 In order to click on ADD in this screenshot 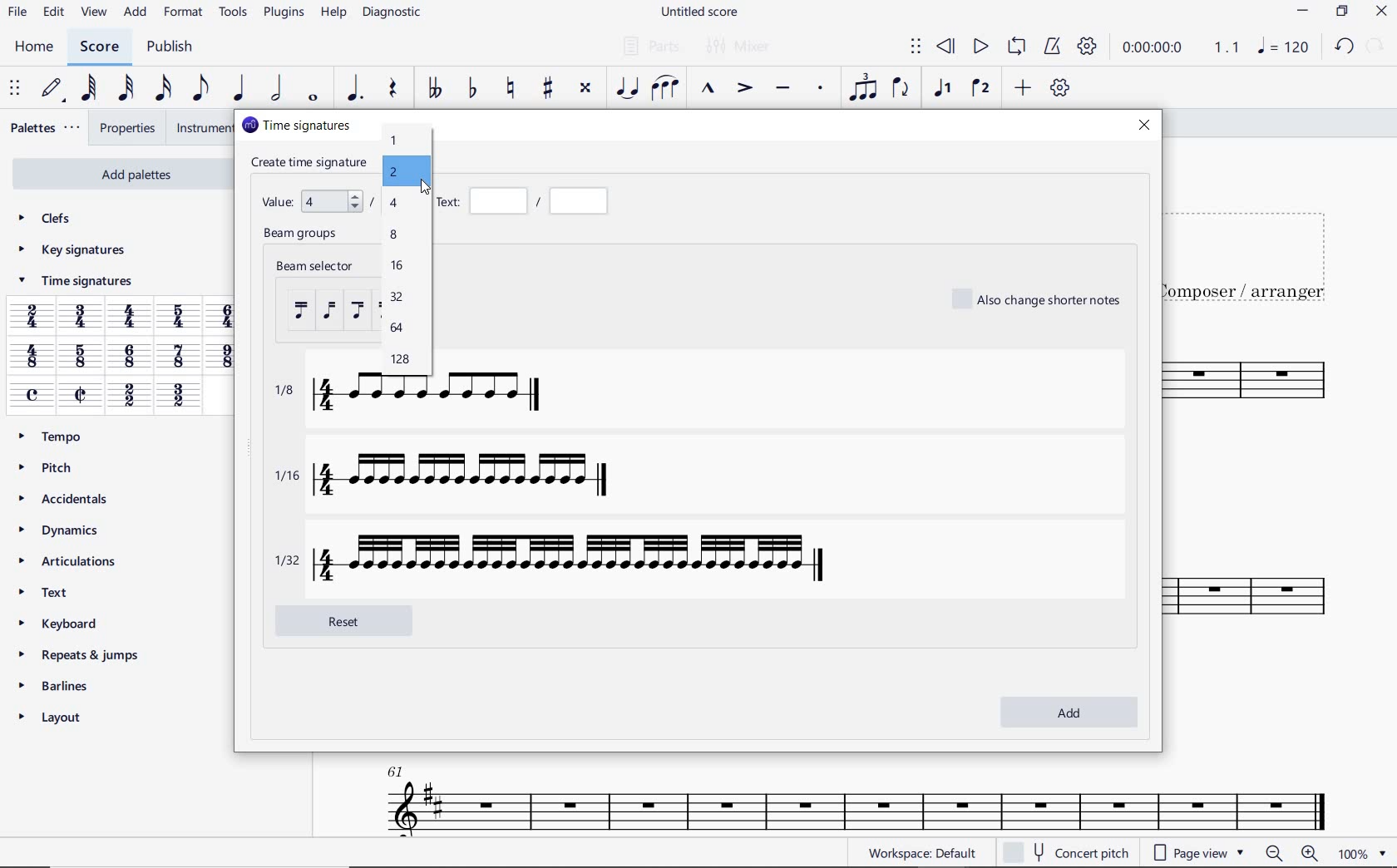, I will do `click(1023, 87)`.